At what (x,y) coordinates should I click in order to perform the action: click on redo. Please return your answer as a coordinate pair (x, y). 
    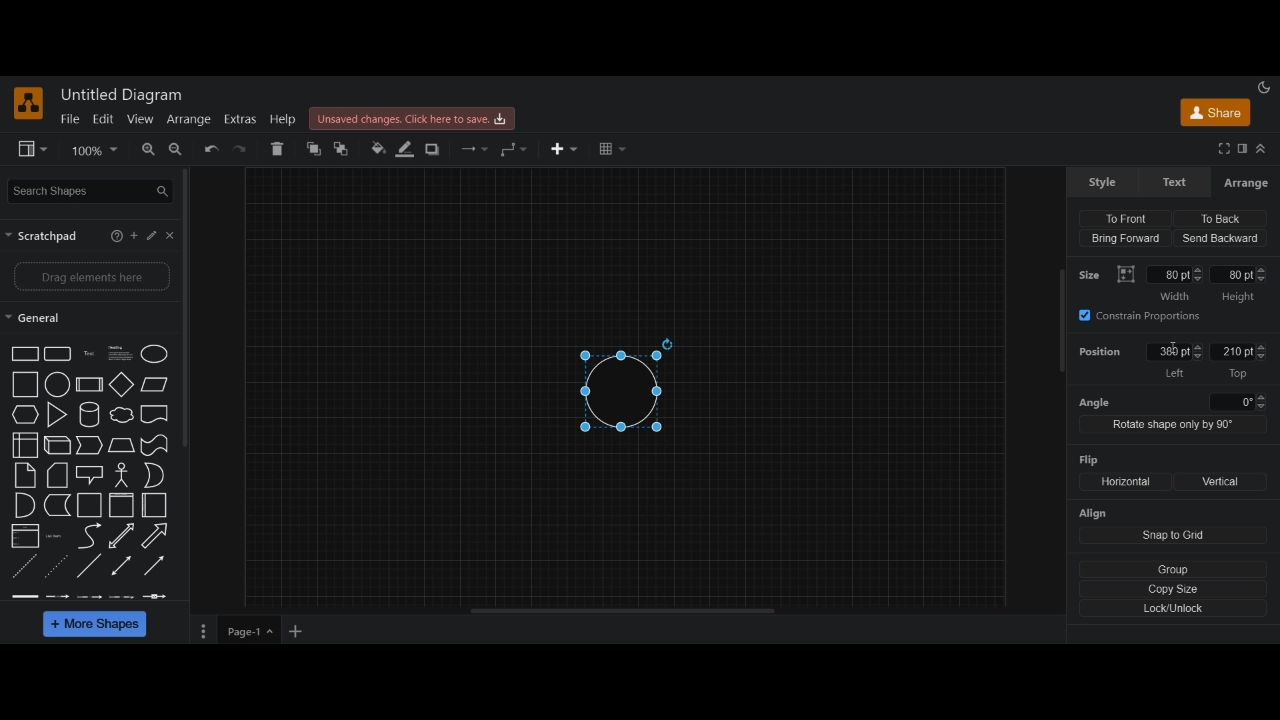
    Looking at the image, I should click on (243, 150).